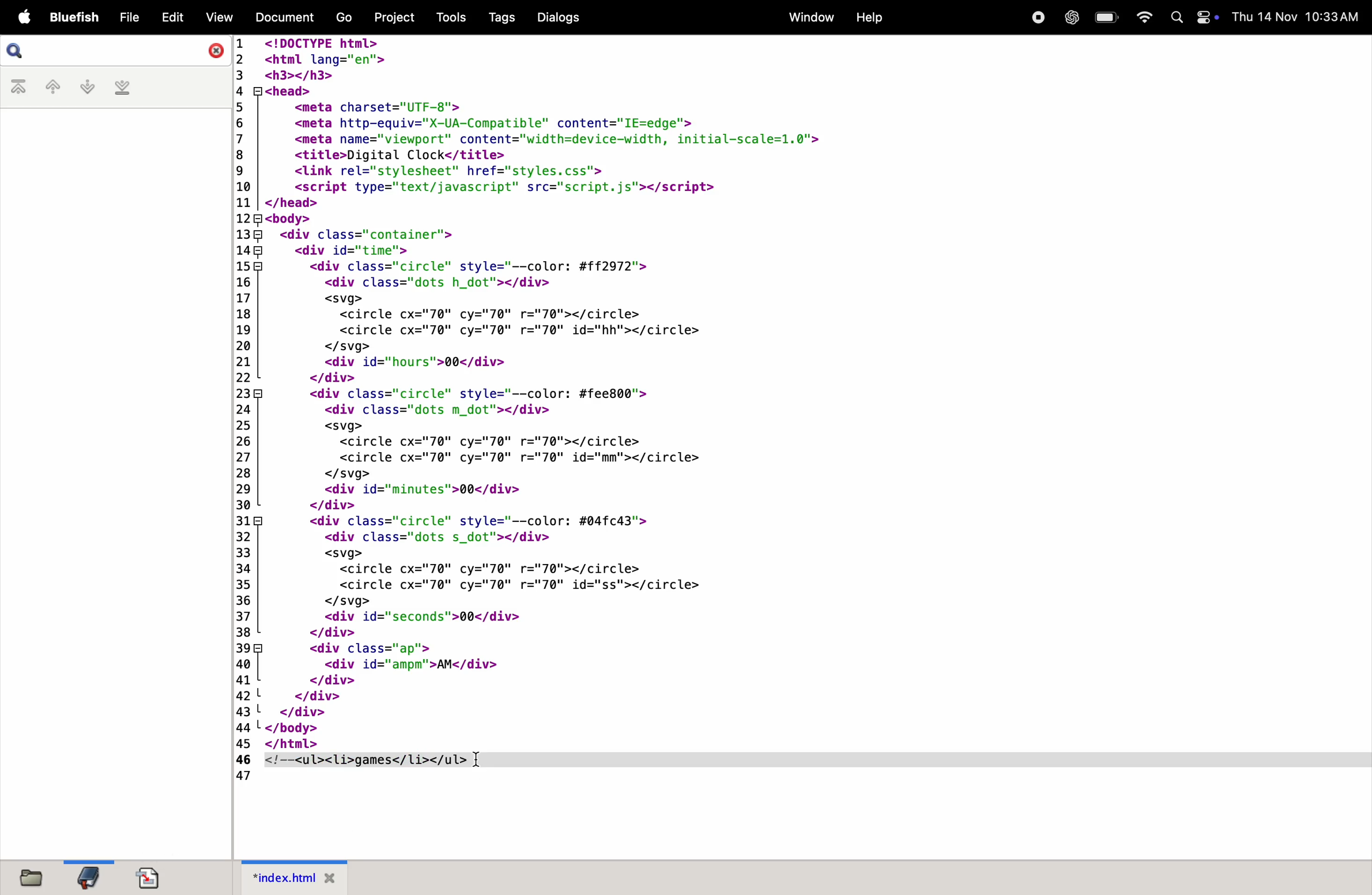 This screenshot has height=895, width=1372. I want to click on document, so click(152, 877).